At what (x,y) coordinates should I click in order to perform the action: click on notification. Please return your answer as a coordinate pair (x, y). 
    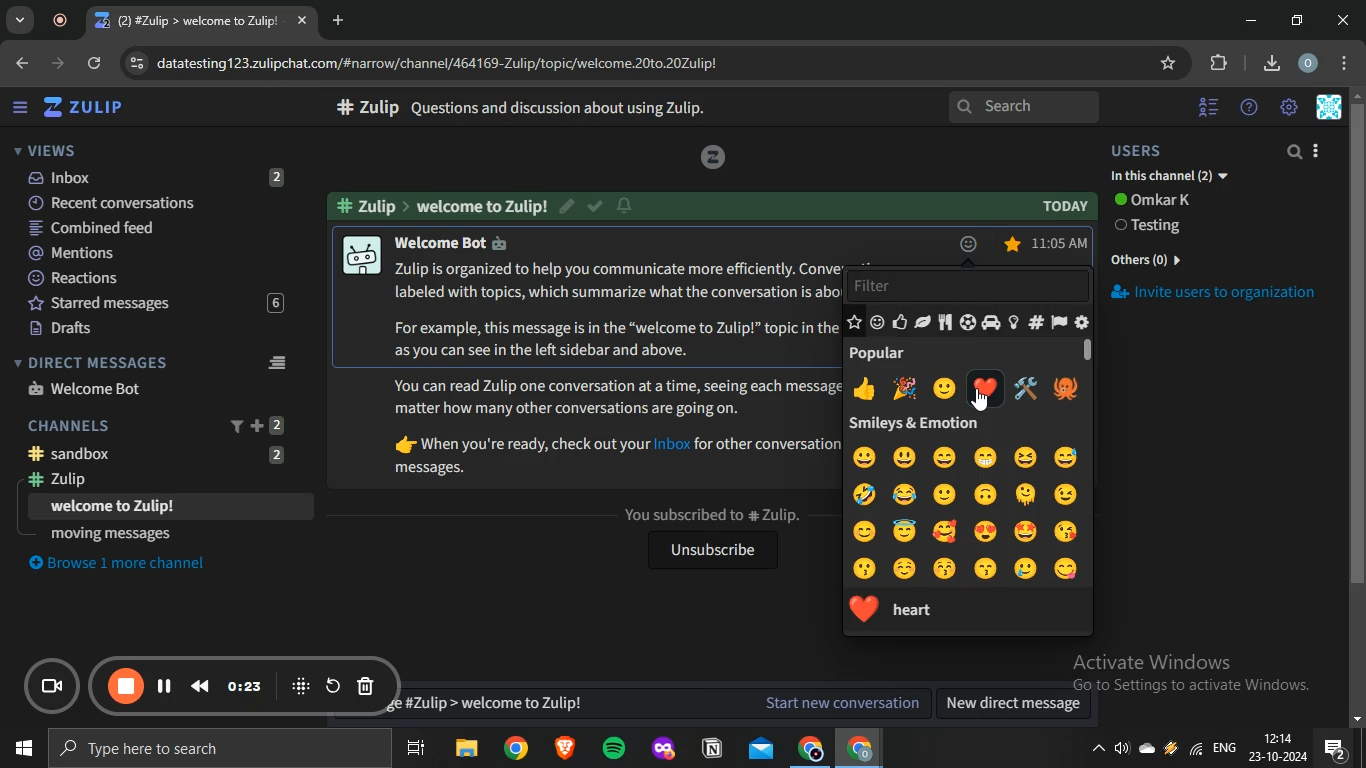
    Looking at the image, I should click on (625, 205).